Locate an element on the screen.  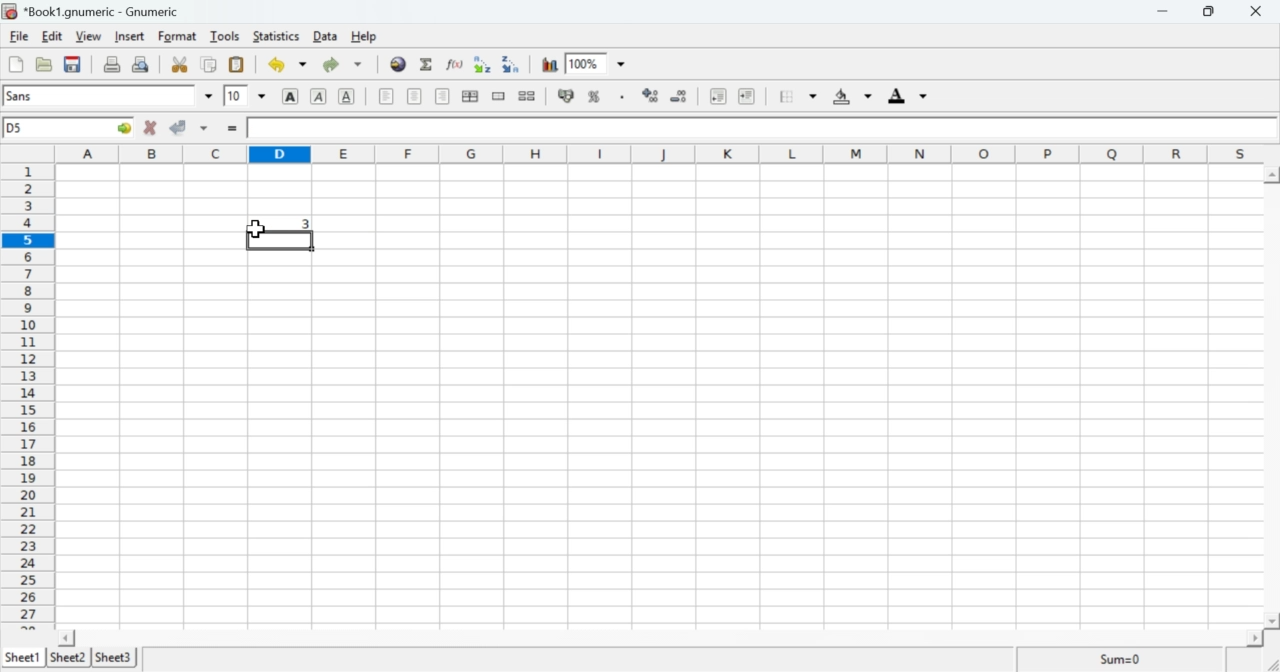
Zoom is located at coordinates (599, 63).